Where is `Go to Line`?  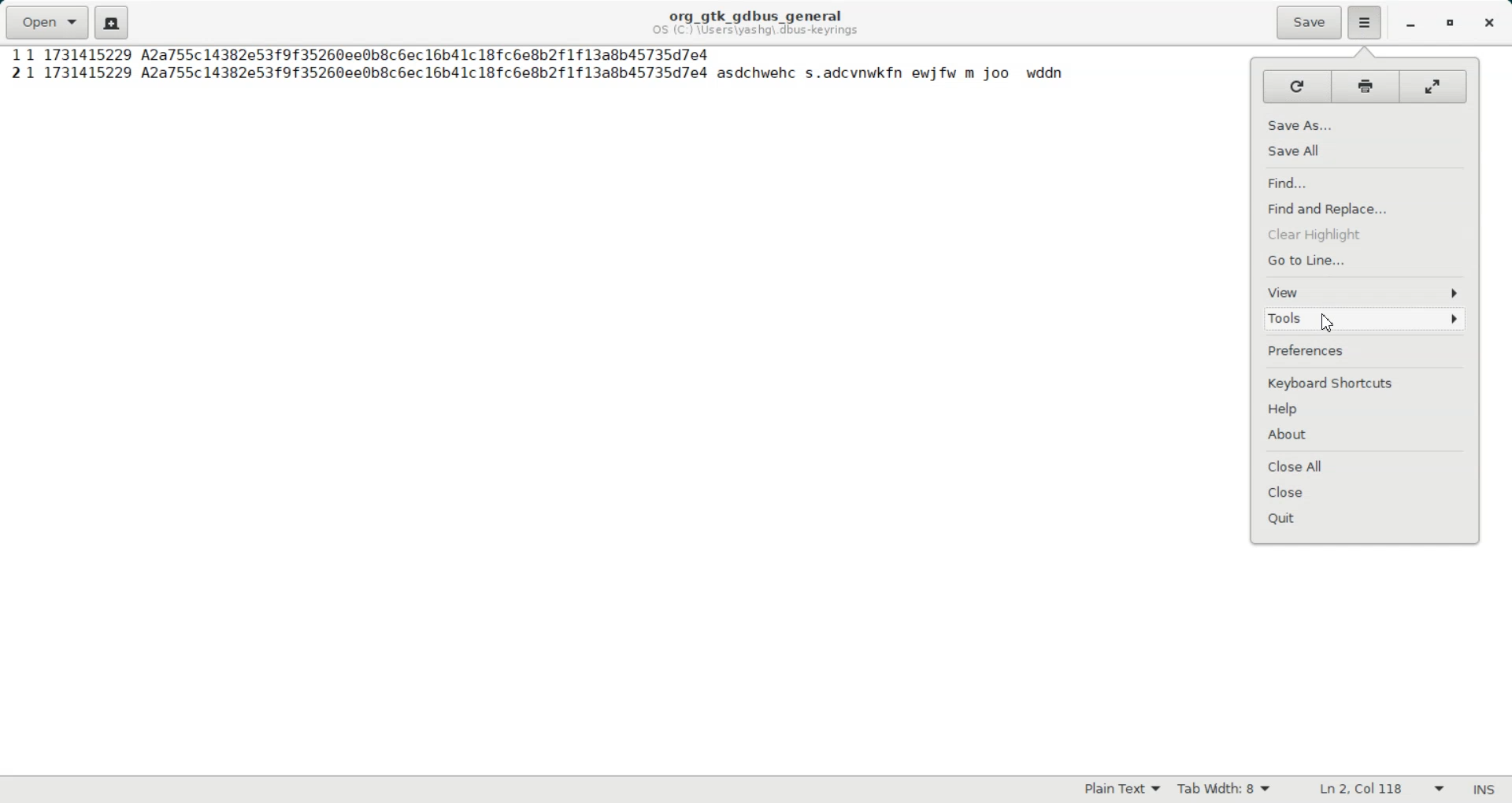
Go to Line is located at coordinates (1365, 261).